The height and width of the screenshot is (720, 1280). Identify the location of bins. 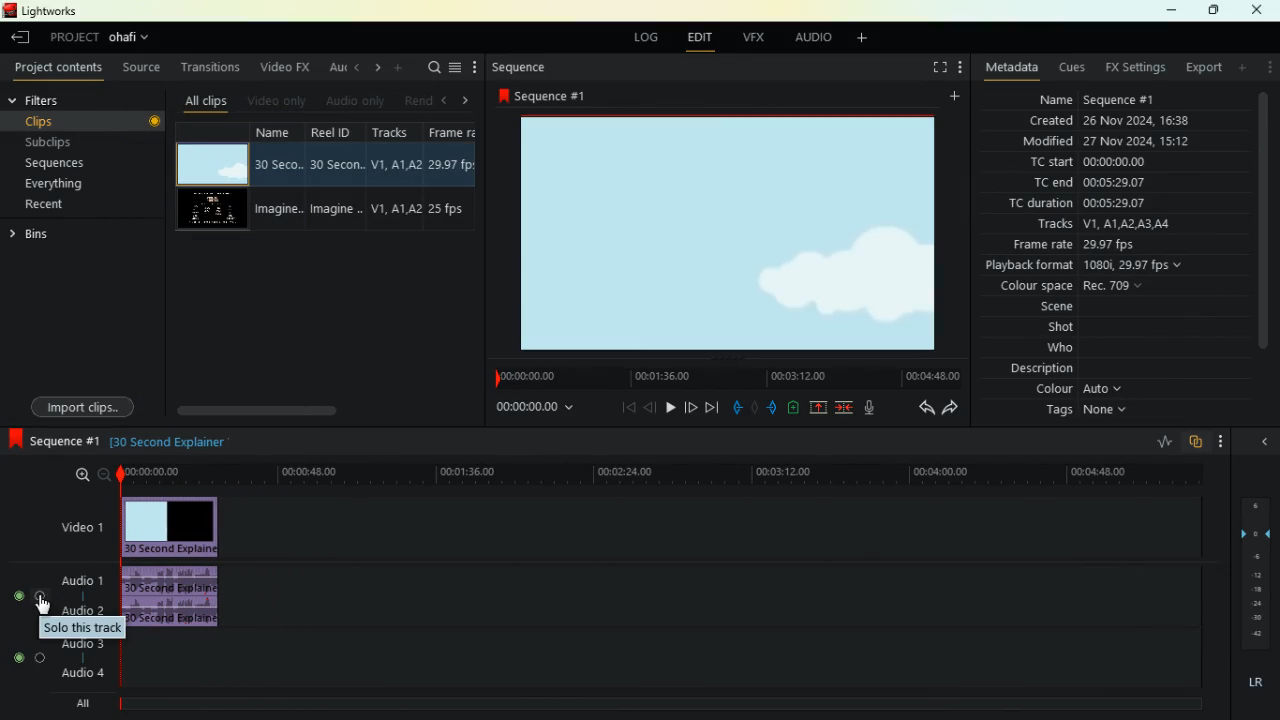
(41, 235).